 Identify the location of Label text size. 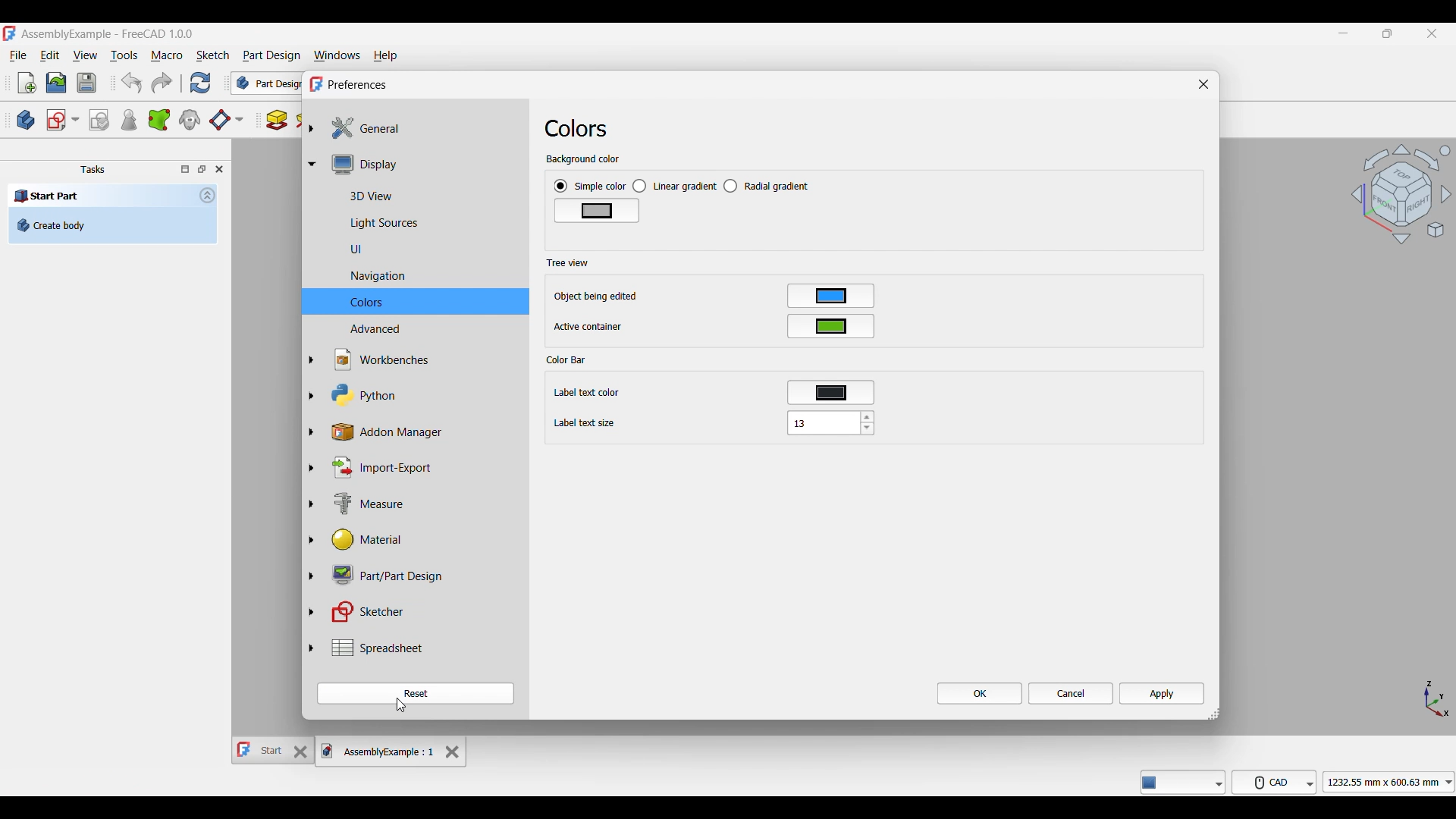
(585, 423).